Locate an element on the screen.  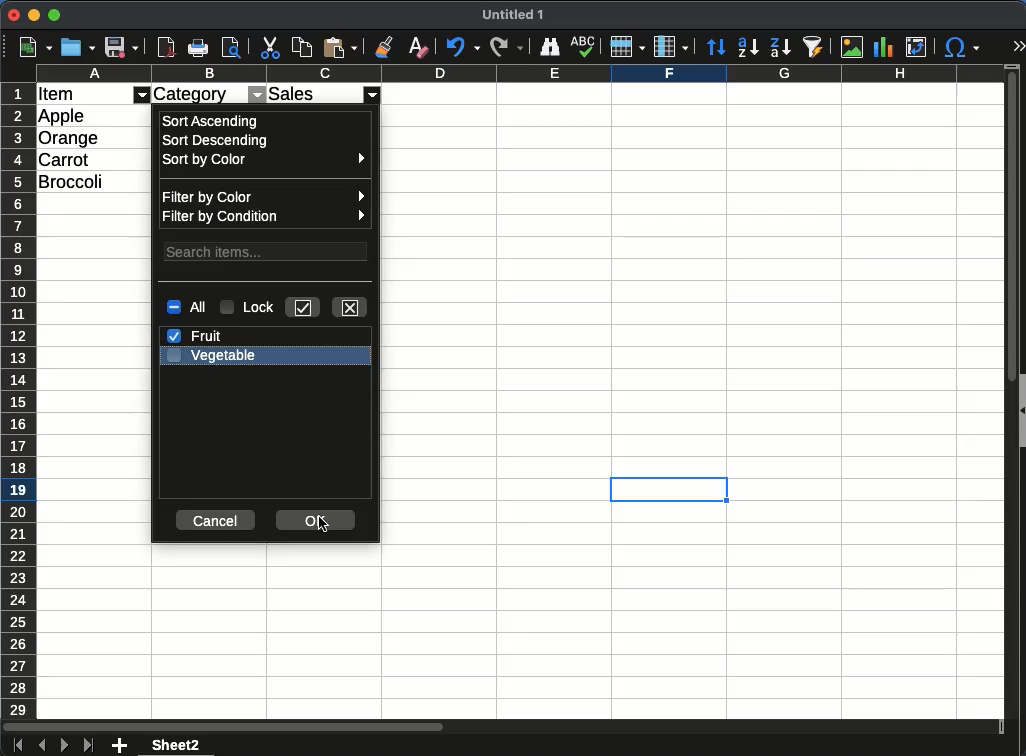
sort ascending is located at coordinates (212, 121).